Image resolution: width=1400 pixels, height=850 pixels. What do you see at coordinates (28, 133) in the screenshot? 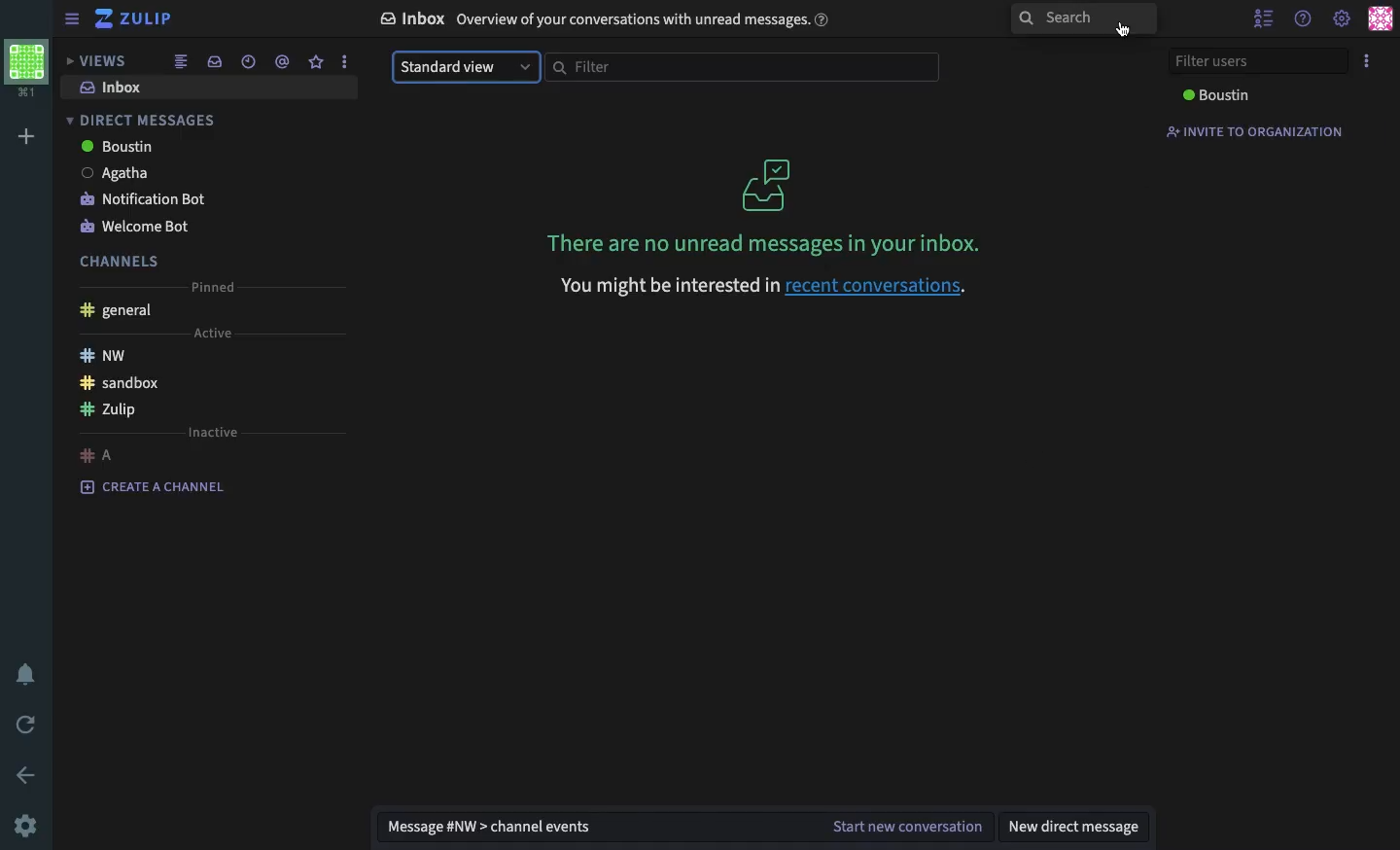
I see `add workspace` at bounding box center [28, 133].